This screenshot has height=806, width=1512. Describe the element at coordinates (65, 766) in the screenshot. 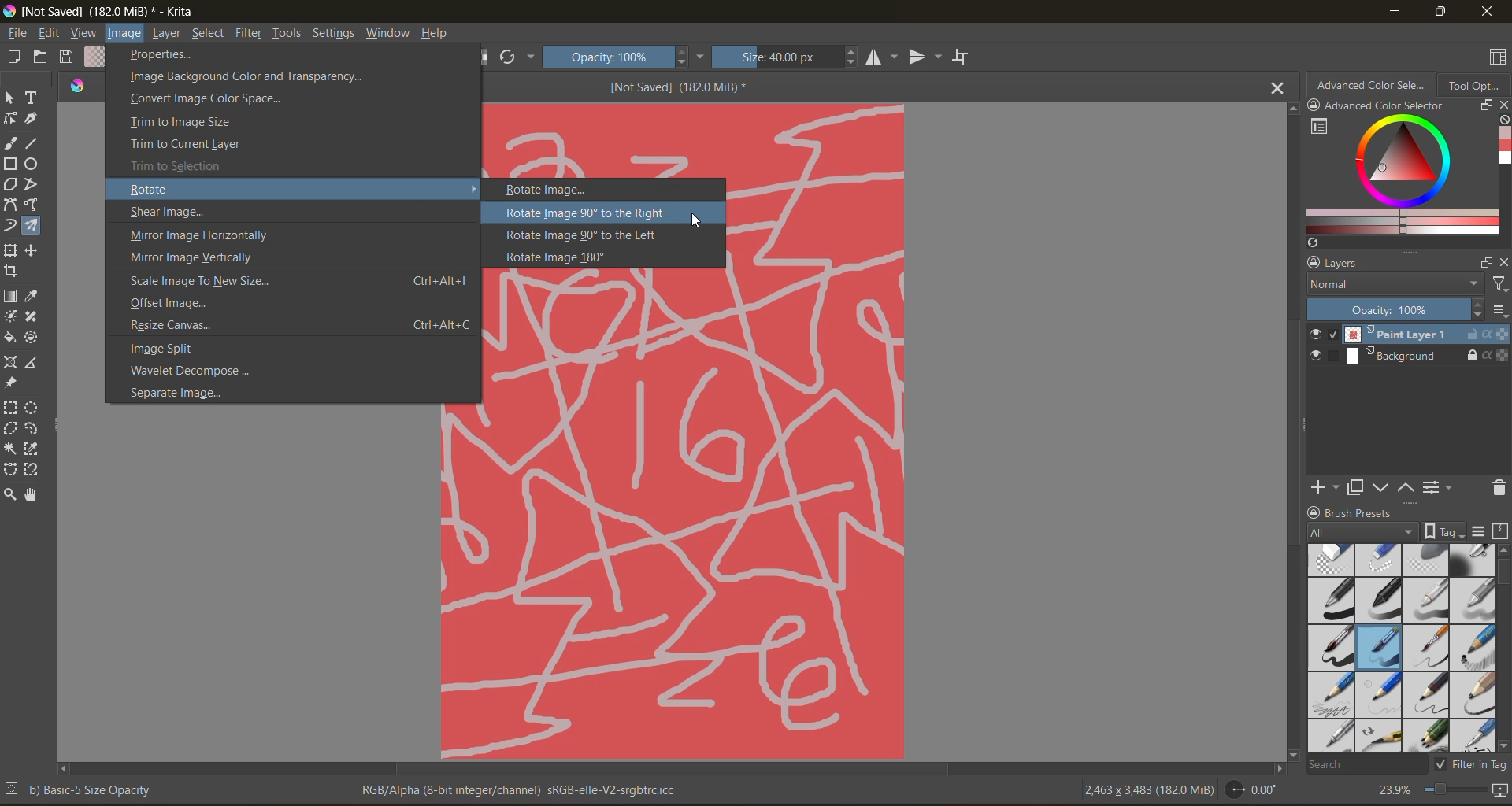

I see `Scroll left` at that location.